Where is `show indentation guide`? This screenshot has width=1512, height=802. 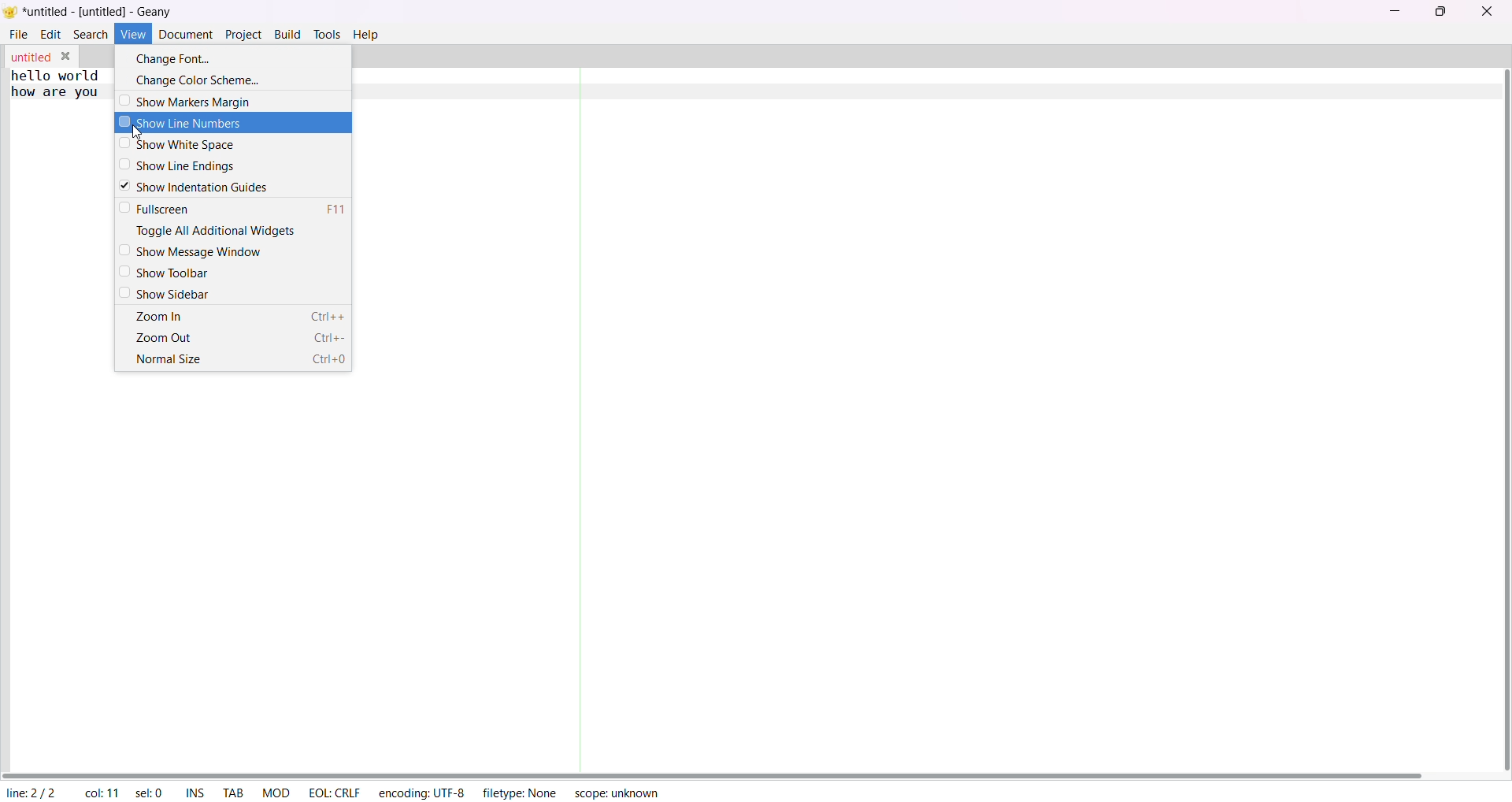 show indentation guide is located at coordinates (197, 188).